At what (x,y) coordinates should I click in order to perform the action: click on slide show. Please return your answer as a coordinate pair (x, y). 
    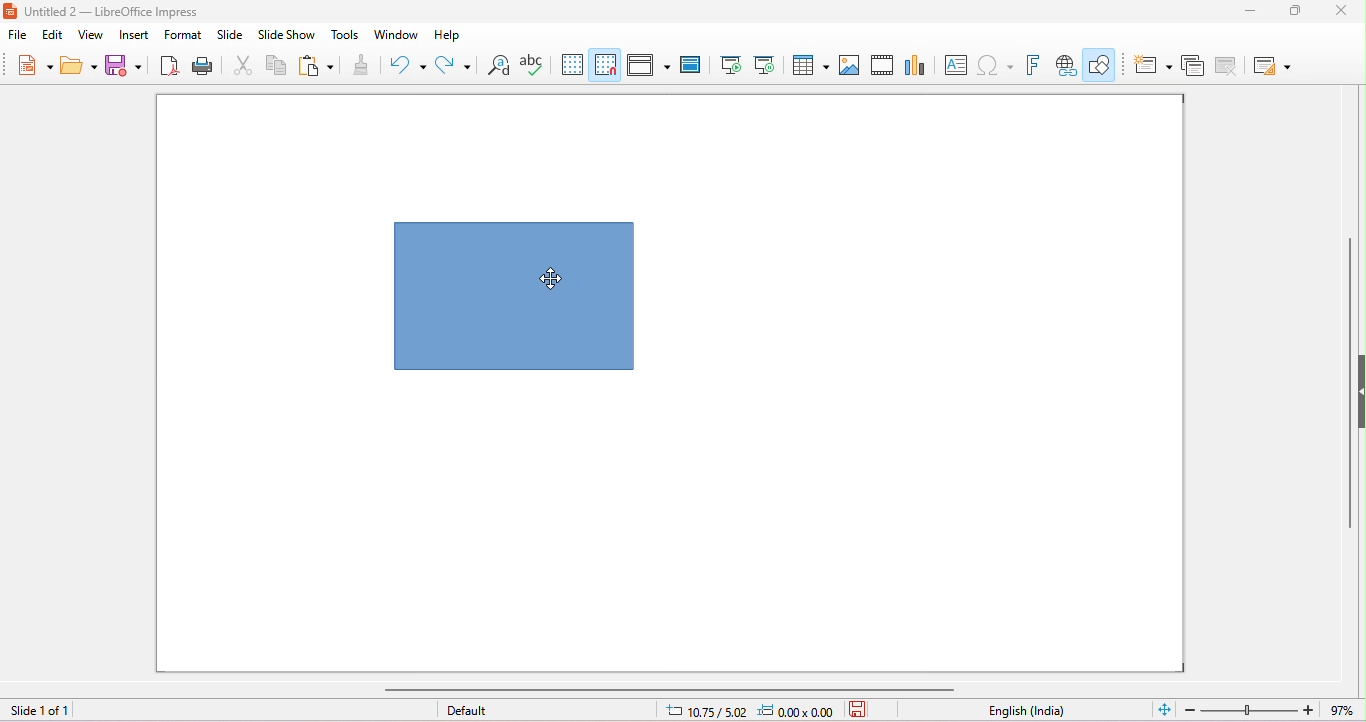
    Looking at the image, I should click on (285, 34).